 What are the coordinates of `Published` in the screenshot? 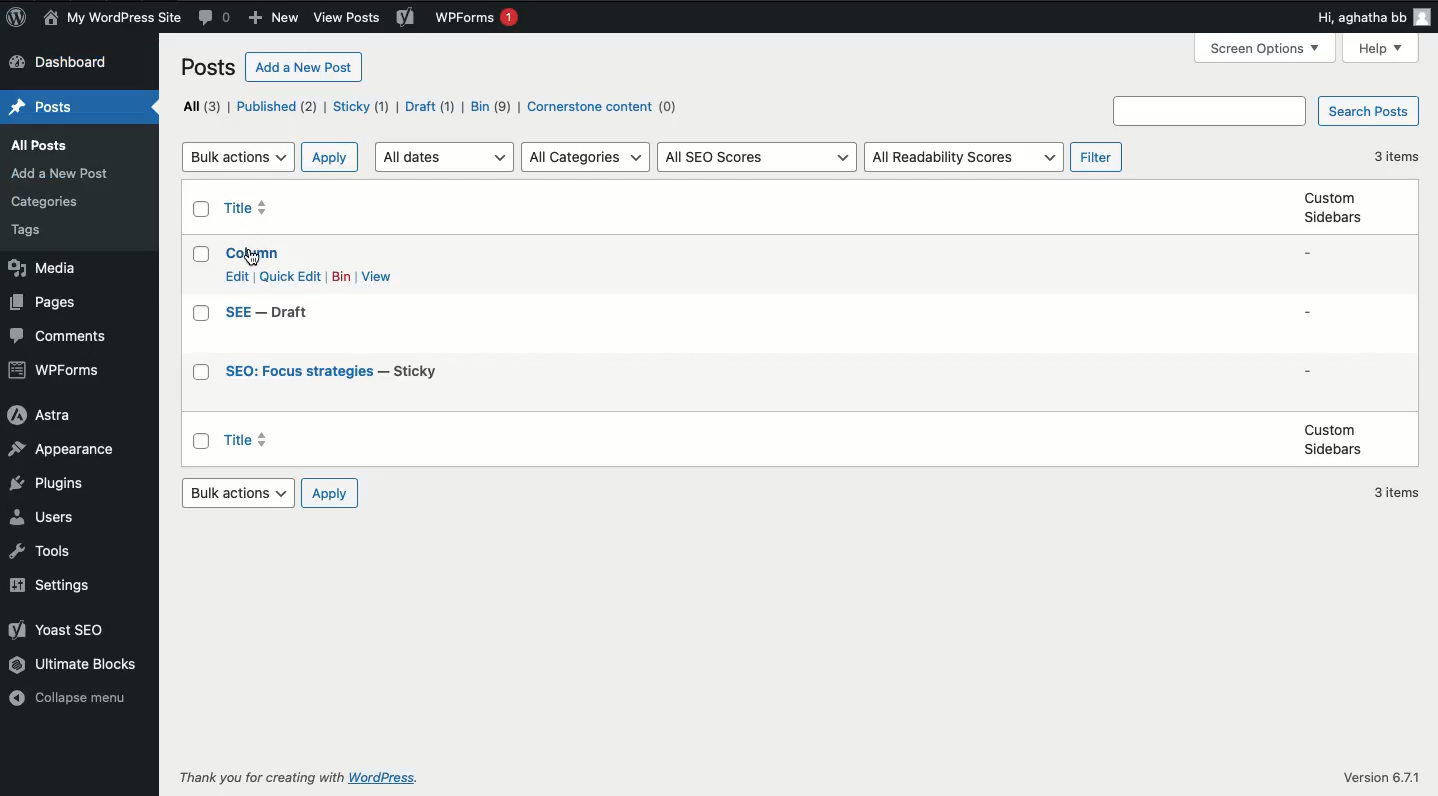 It's located at (279, 107).